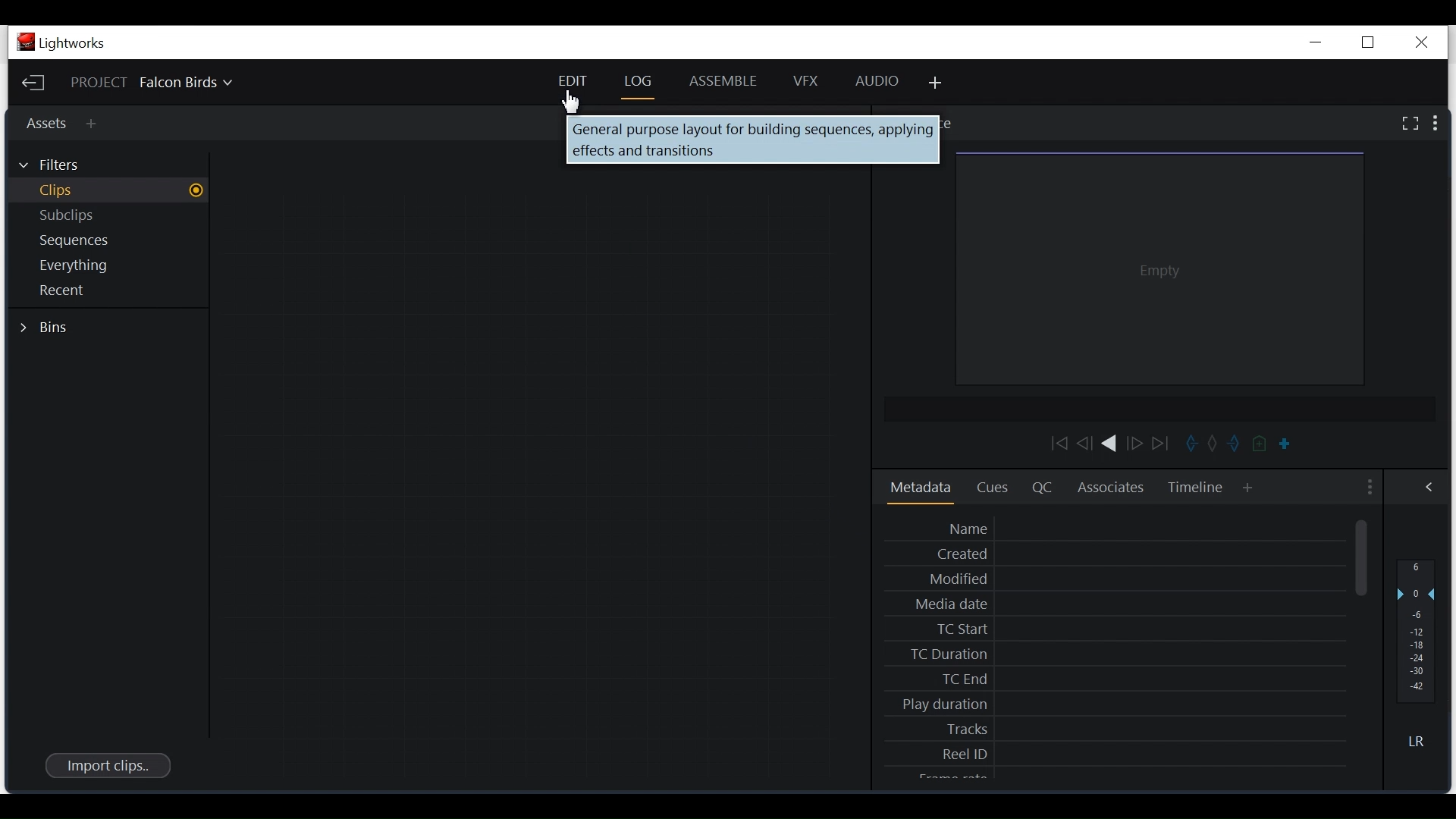 This screenshot has height=819, width=1456. What do you see at coordinates (570, 80) in the screenshot?
I see `Edit` at bounding box center [570, 80].